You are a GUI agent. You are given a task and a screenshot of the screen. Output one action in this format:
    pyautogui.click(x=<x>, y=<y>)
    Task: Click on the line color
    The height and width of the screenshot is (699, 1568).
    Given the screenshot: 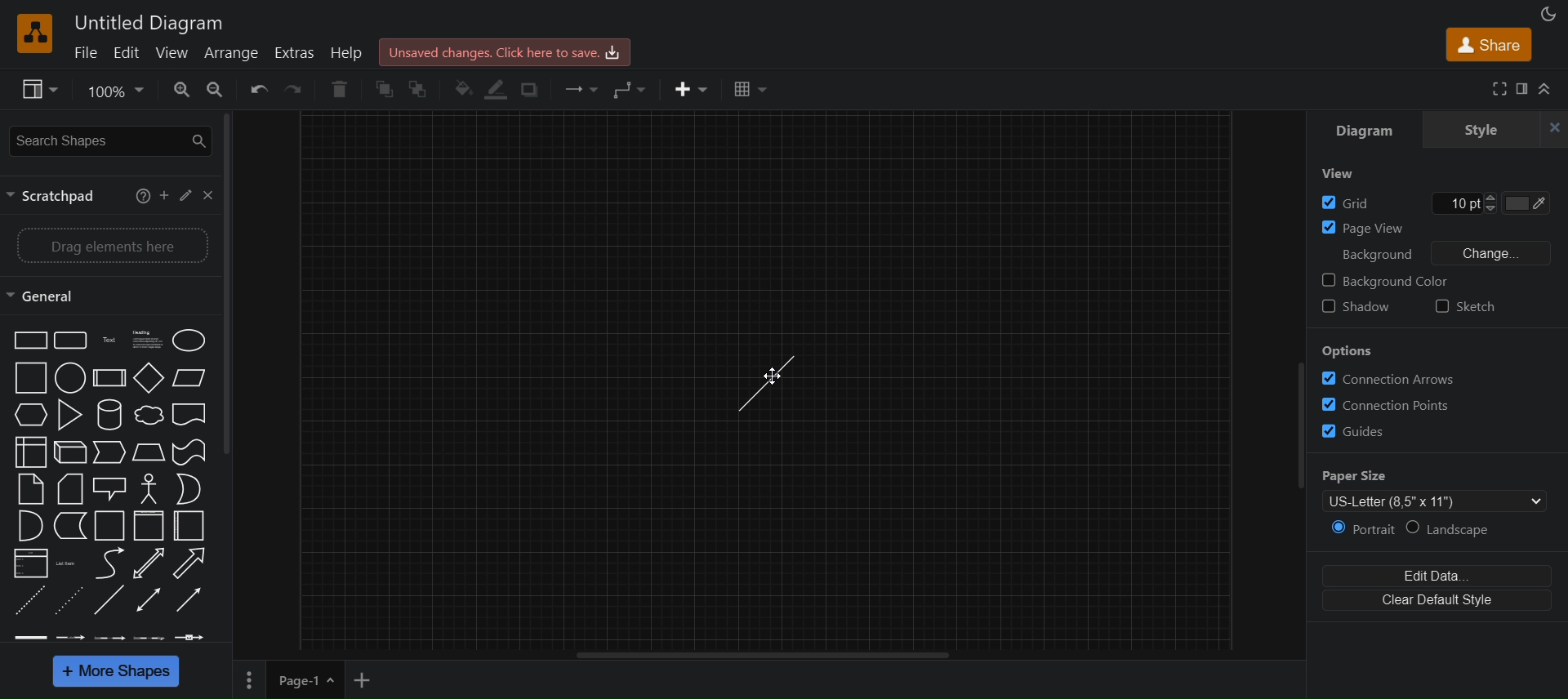 What is the action you would take?
    pyautogui.click(x=497, y=88)
    